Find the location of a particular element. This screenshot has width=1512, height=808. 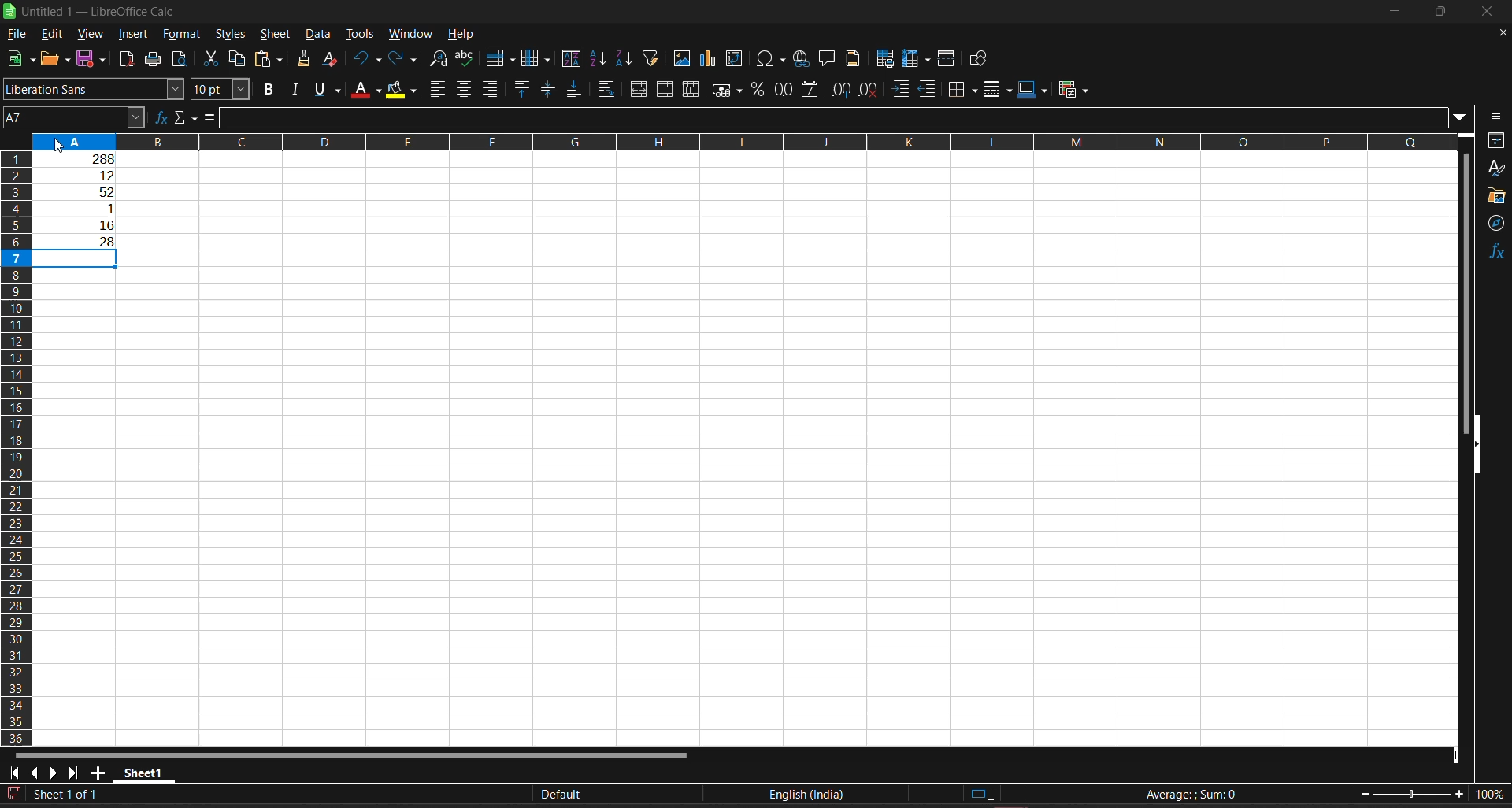

sort ascending is located at coordinates (598, 61).